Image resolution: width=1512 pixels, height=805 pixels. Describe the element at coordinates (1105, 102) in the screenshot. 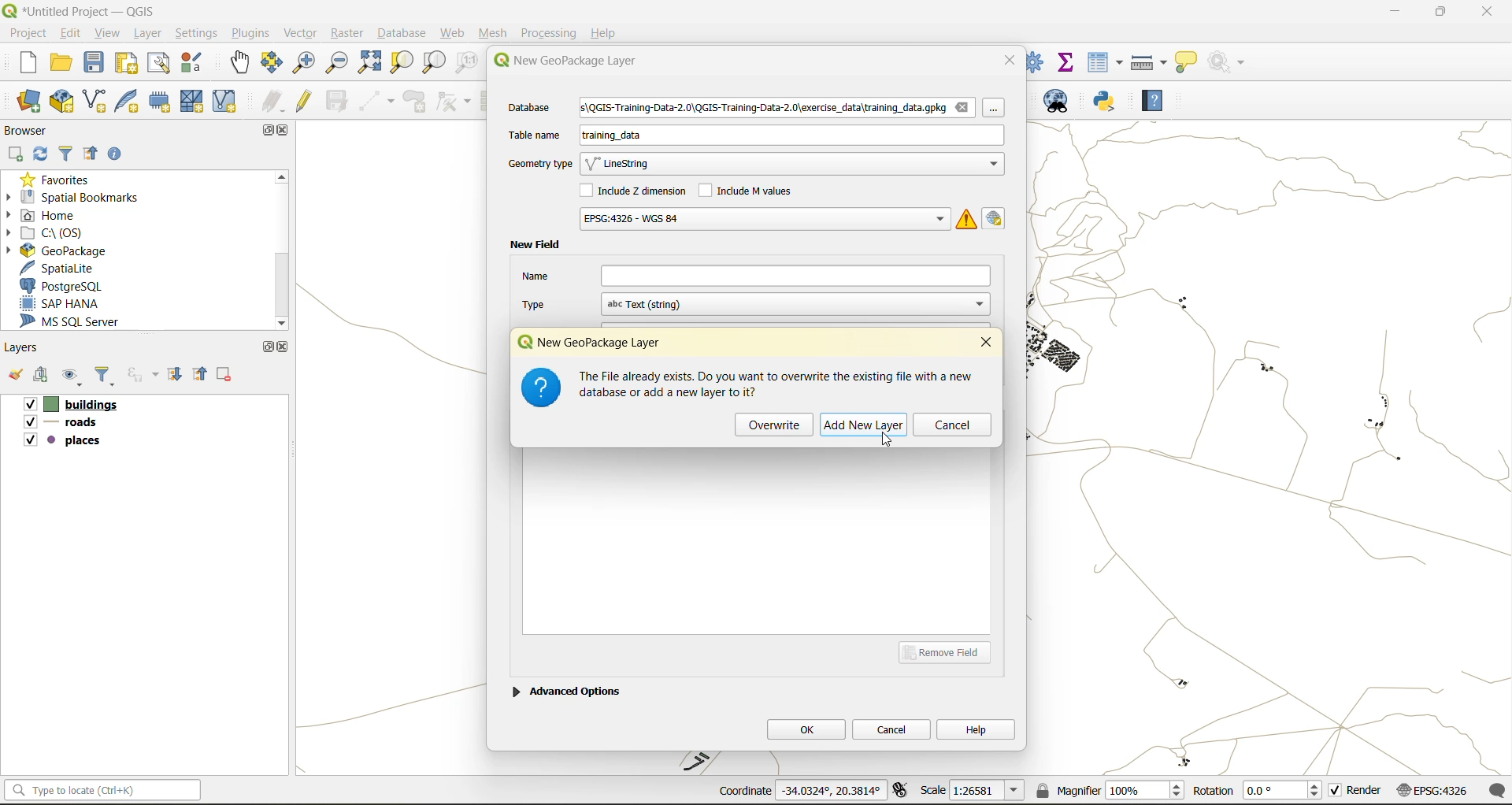

I see `python` at that location.